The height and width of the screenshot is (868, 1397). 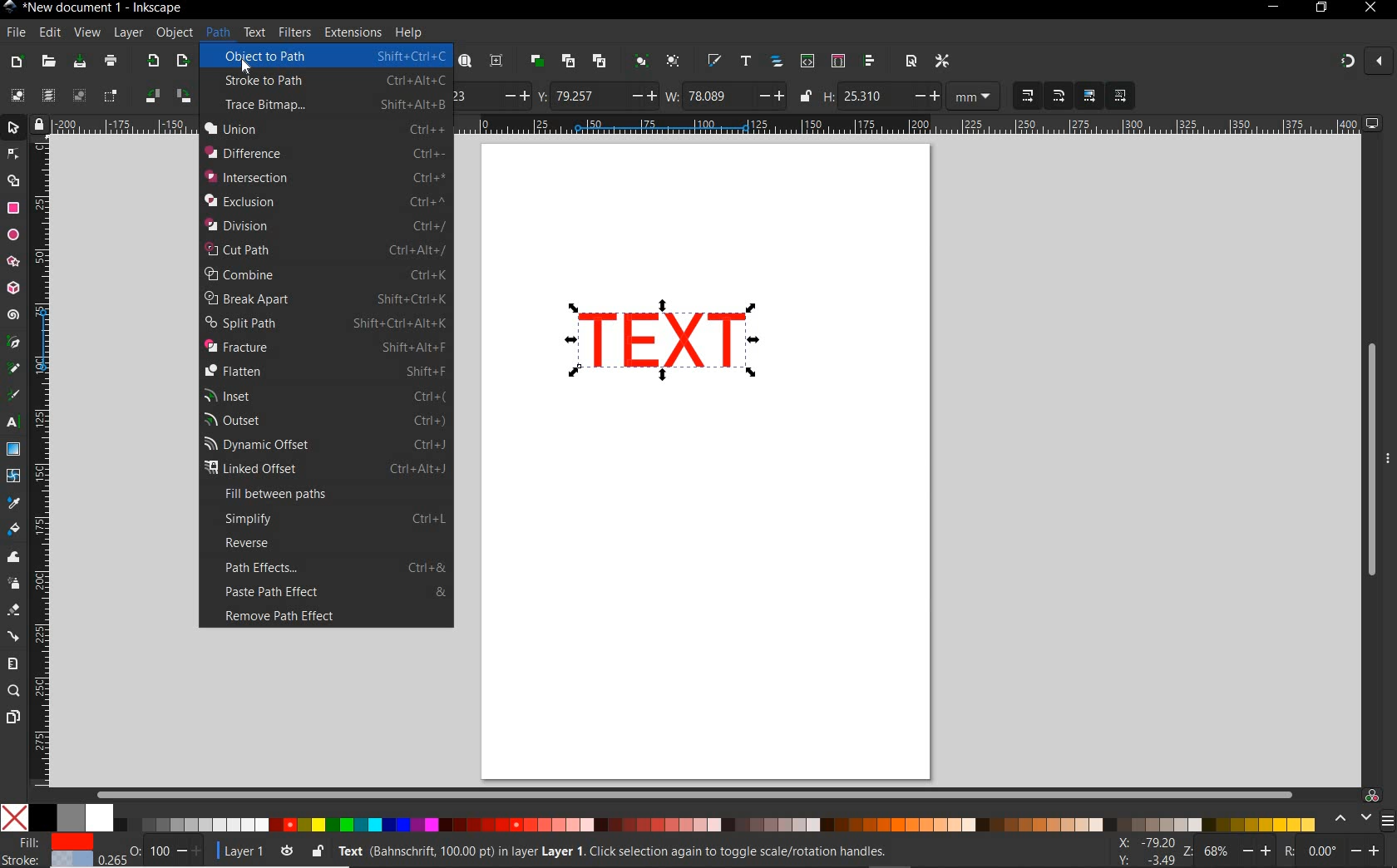 What do you see at coordinates (600, 62) in the screenshot?
I see `UNLINK CLONE` at bounding box center [600, 62].